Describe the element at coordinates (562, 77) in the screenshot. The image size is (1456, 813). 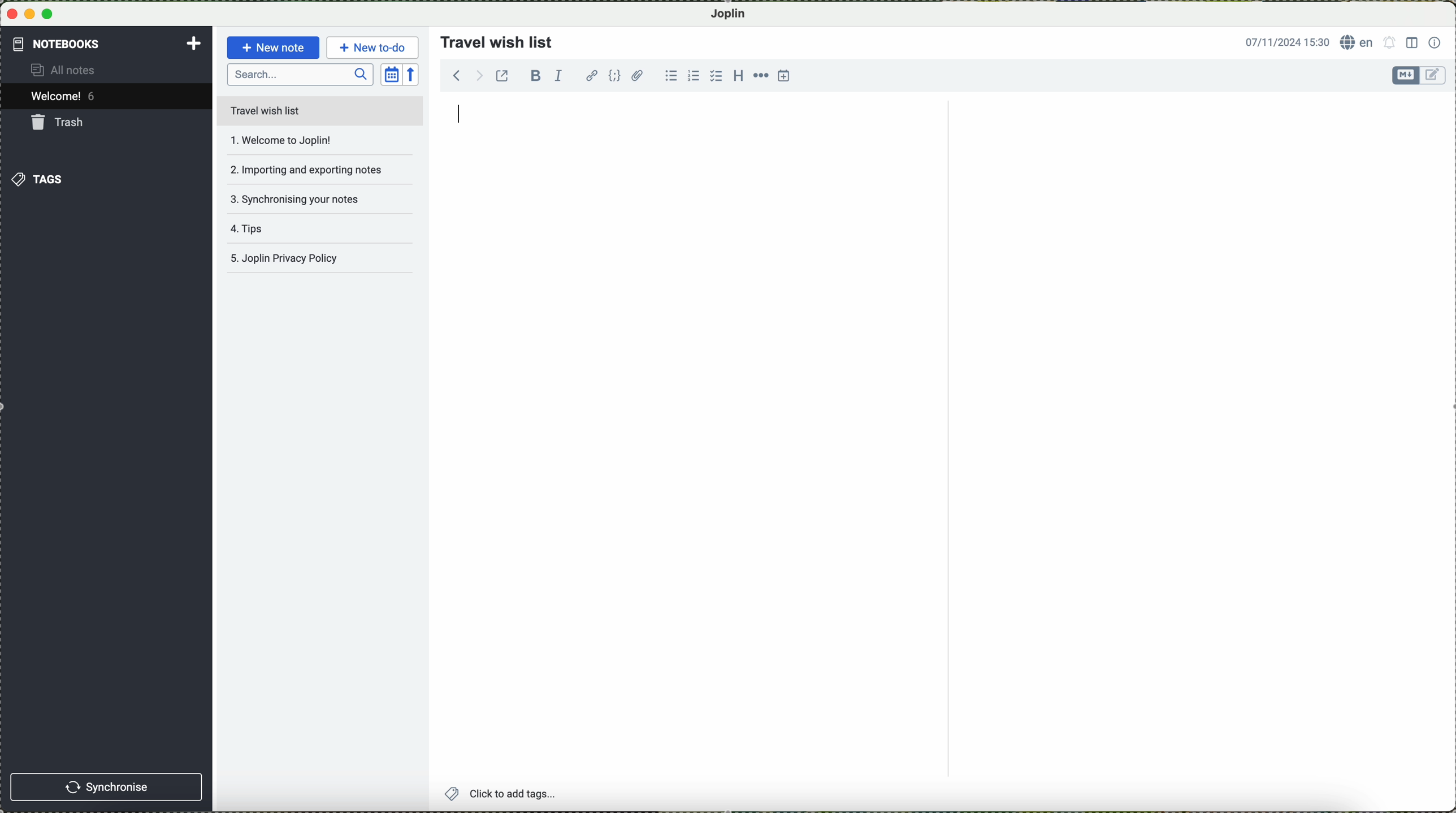
I see `italic` at that location.